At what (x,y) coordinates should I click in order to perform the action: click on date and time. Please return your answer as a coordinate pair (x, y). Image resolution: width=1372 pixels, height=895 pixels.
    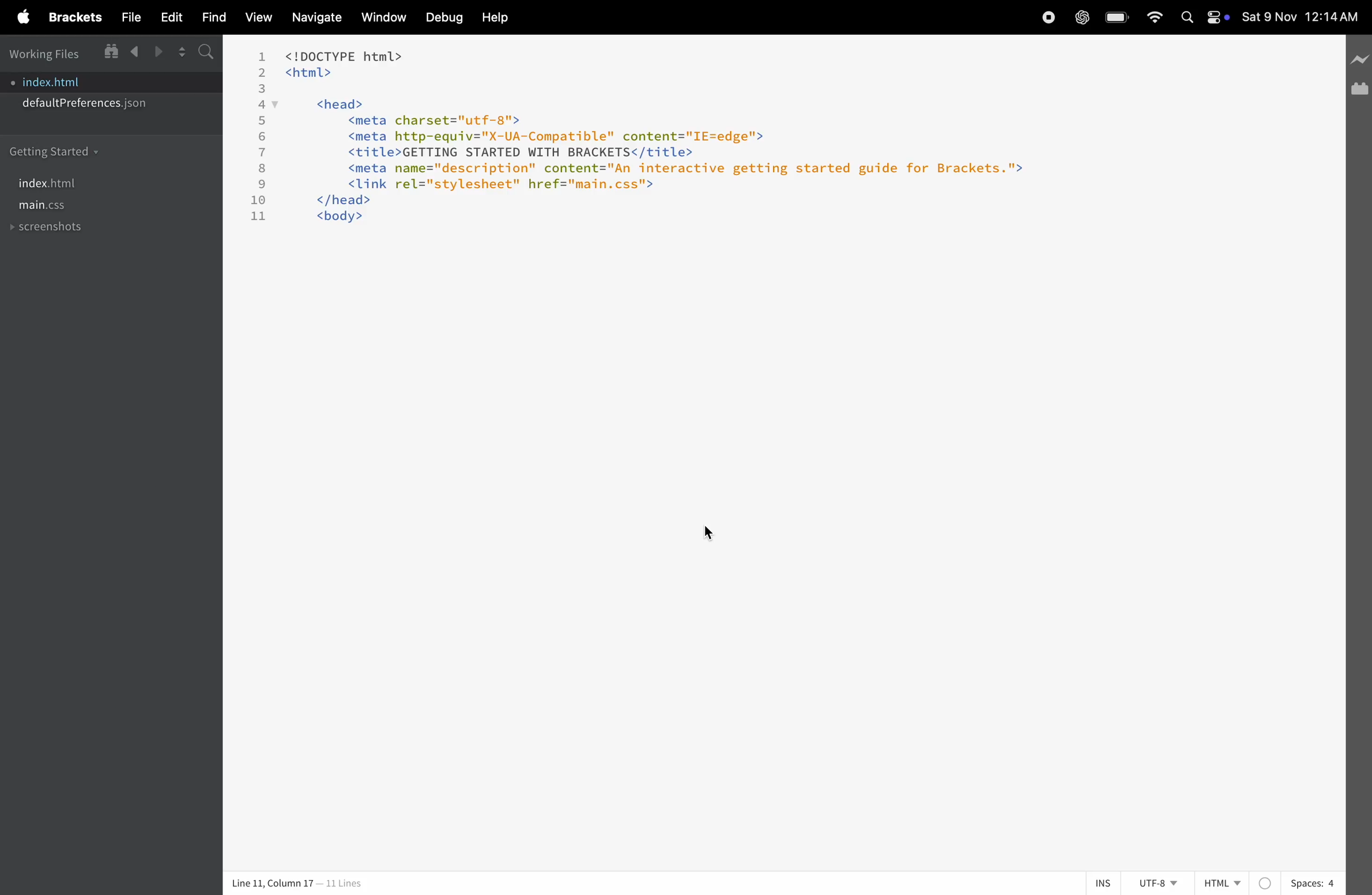
    Looking at the image, I should click on (1303, 17).